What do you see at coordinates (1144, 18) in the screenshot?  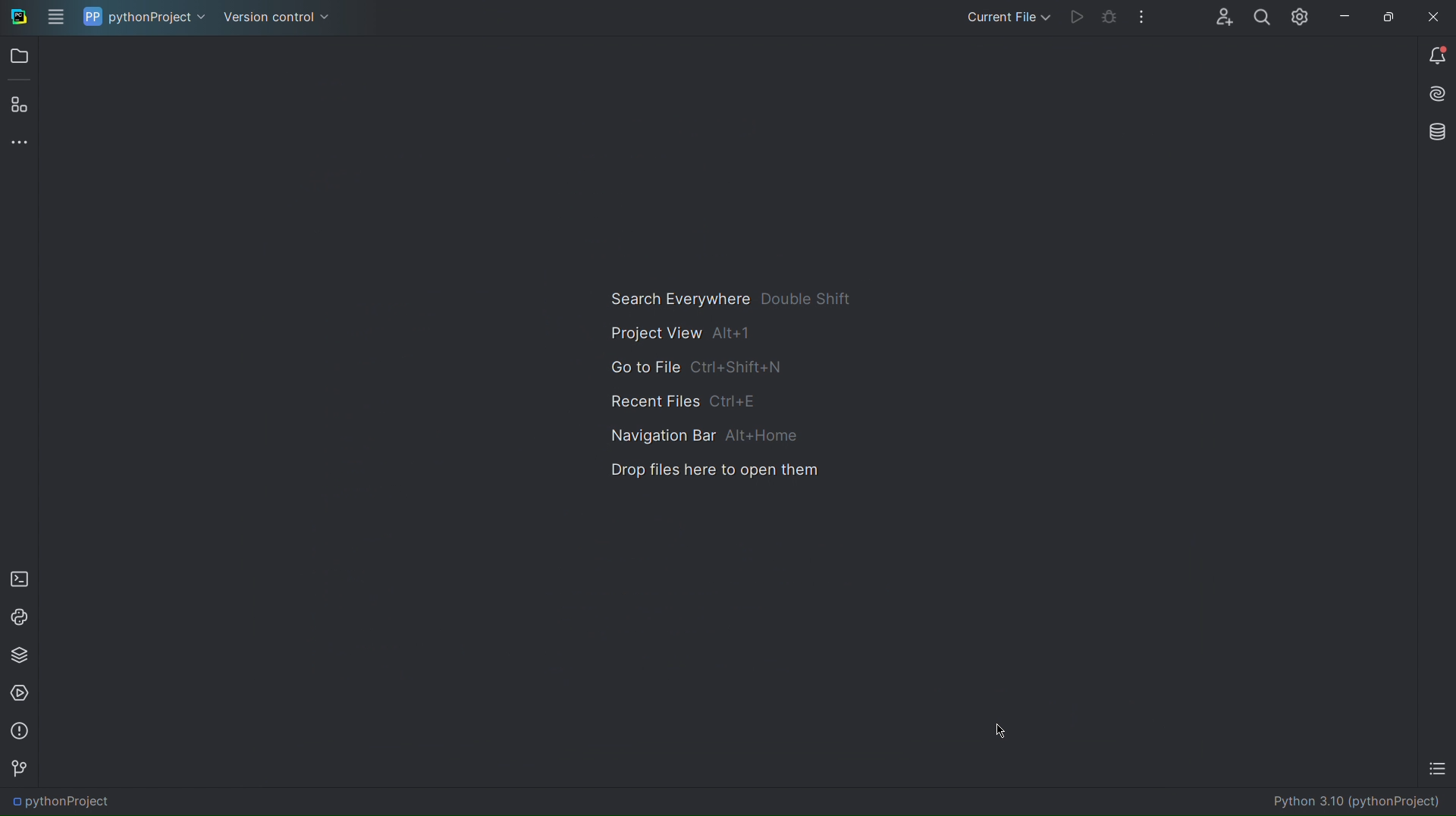 I see `More` at bounding box center [1144, 18].